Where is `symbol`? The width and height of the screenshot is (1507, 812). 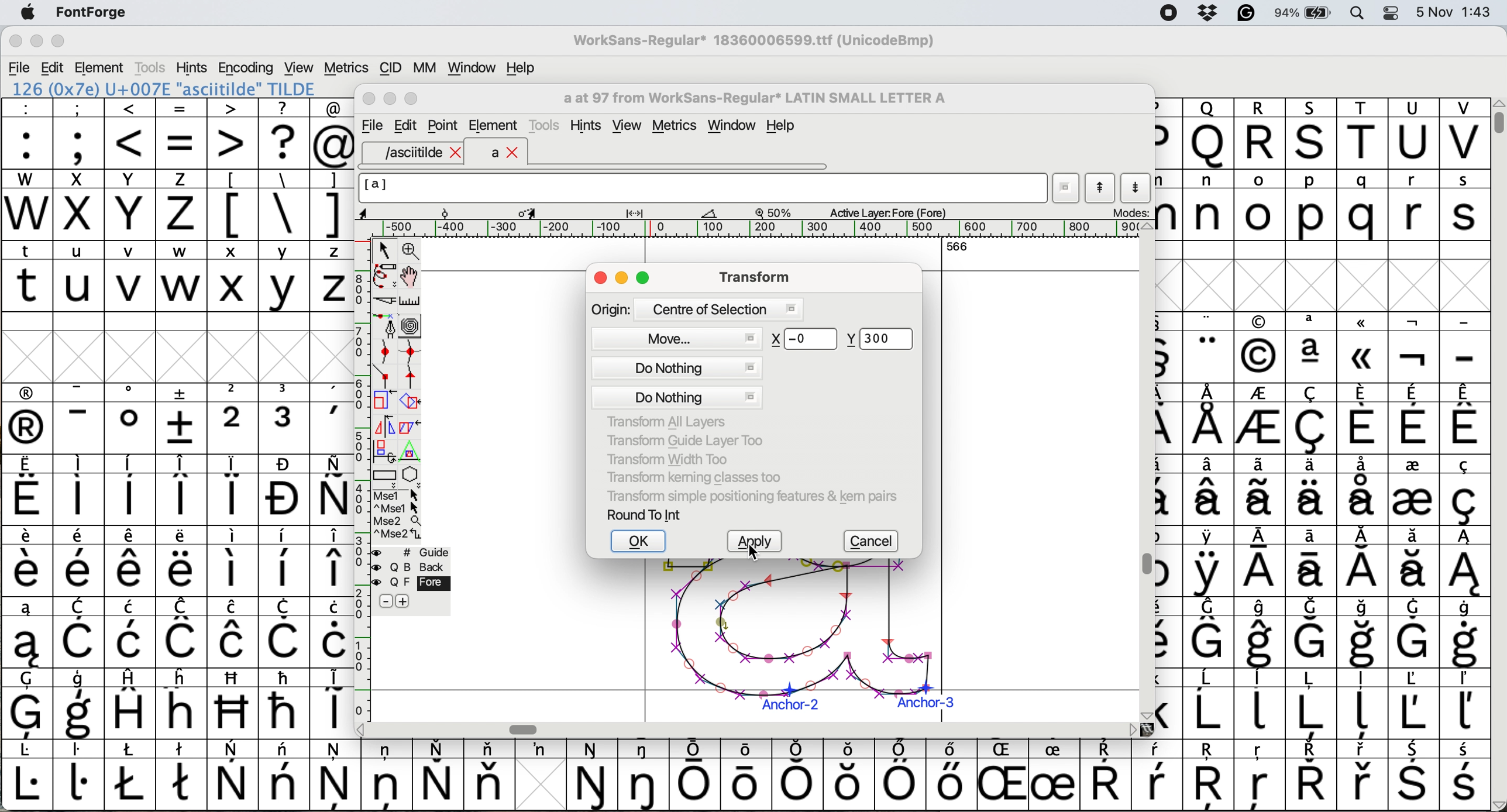
symbol is located at coordinates (284, 562).